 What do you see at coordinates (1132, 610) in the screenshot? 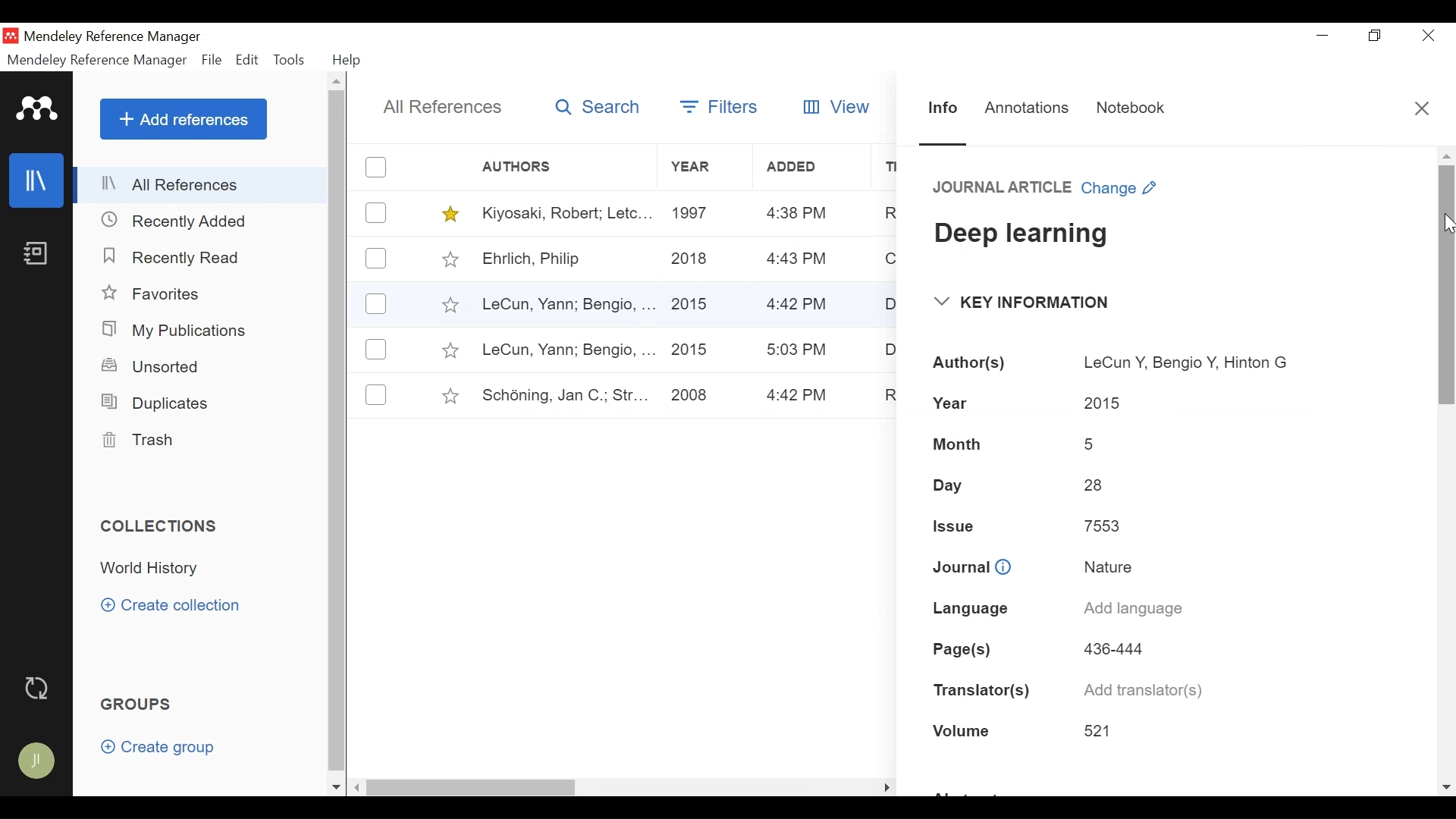
I see `Add language` at bounding box center [1132, 610].